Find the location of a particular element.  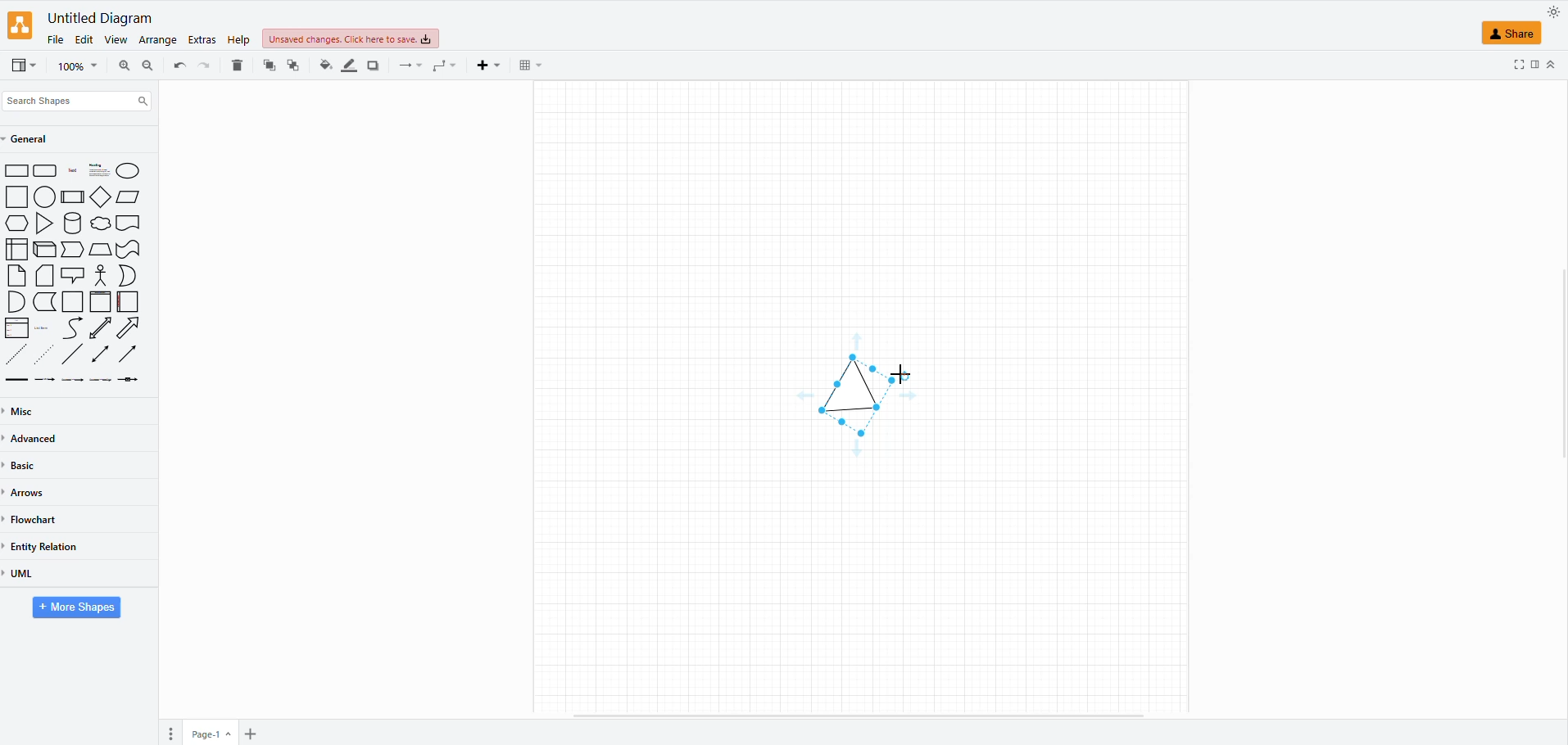

Placeholder is located at coordinates (43, 328).